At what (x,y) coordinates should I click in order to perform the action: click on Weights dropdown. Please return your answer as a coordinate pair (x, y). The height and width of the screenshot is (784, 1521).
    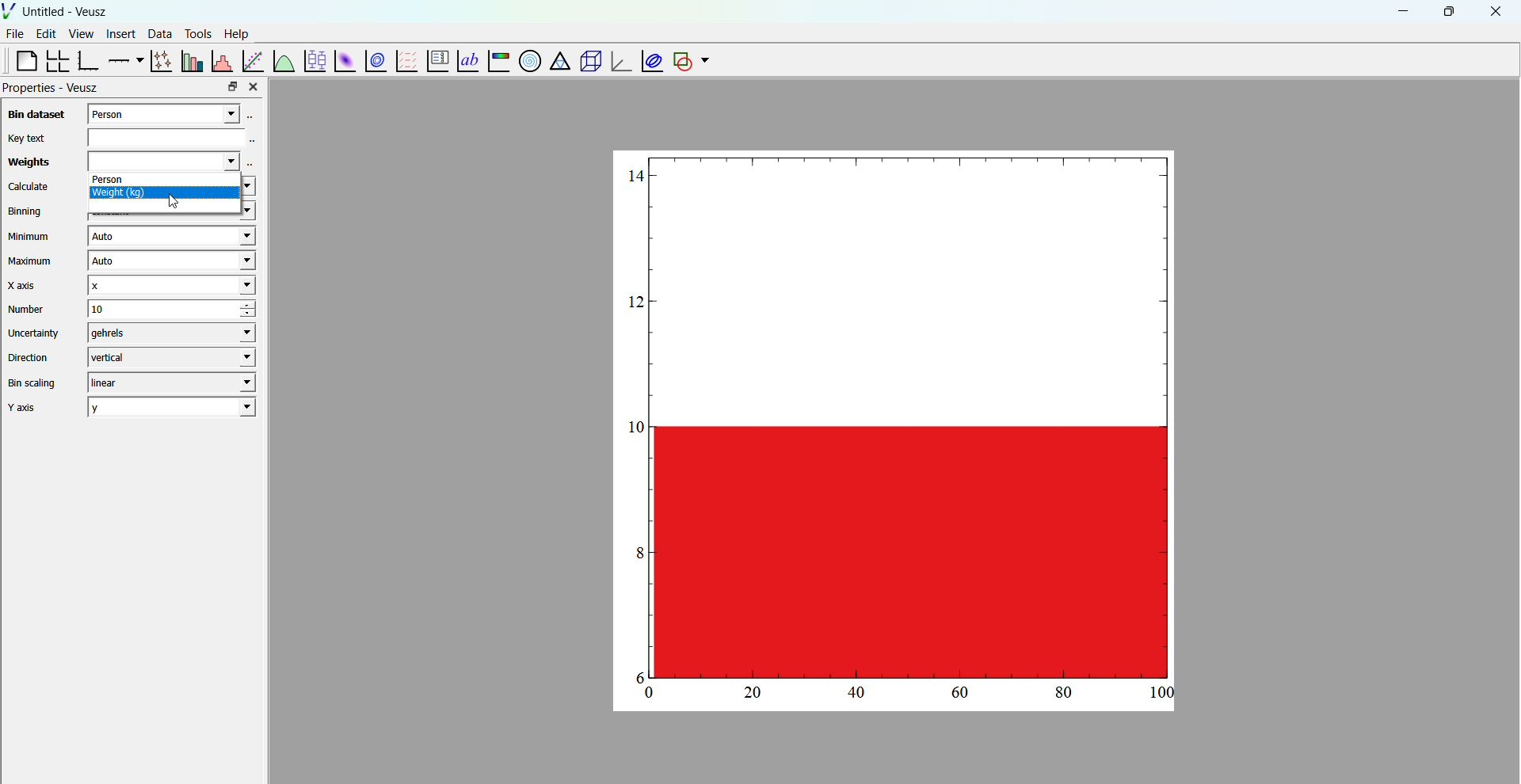
    Looking at the image, I should click on (161, 161).